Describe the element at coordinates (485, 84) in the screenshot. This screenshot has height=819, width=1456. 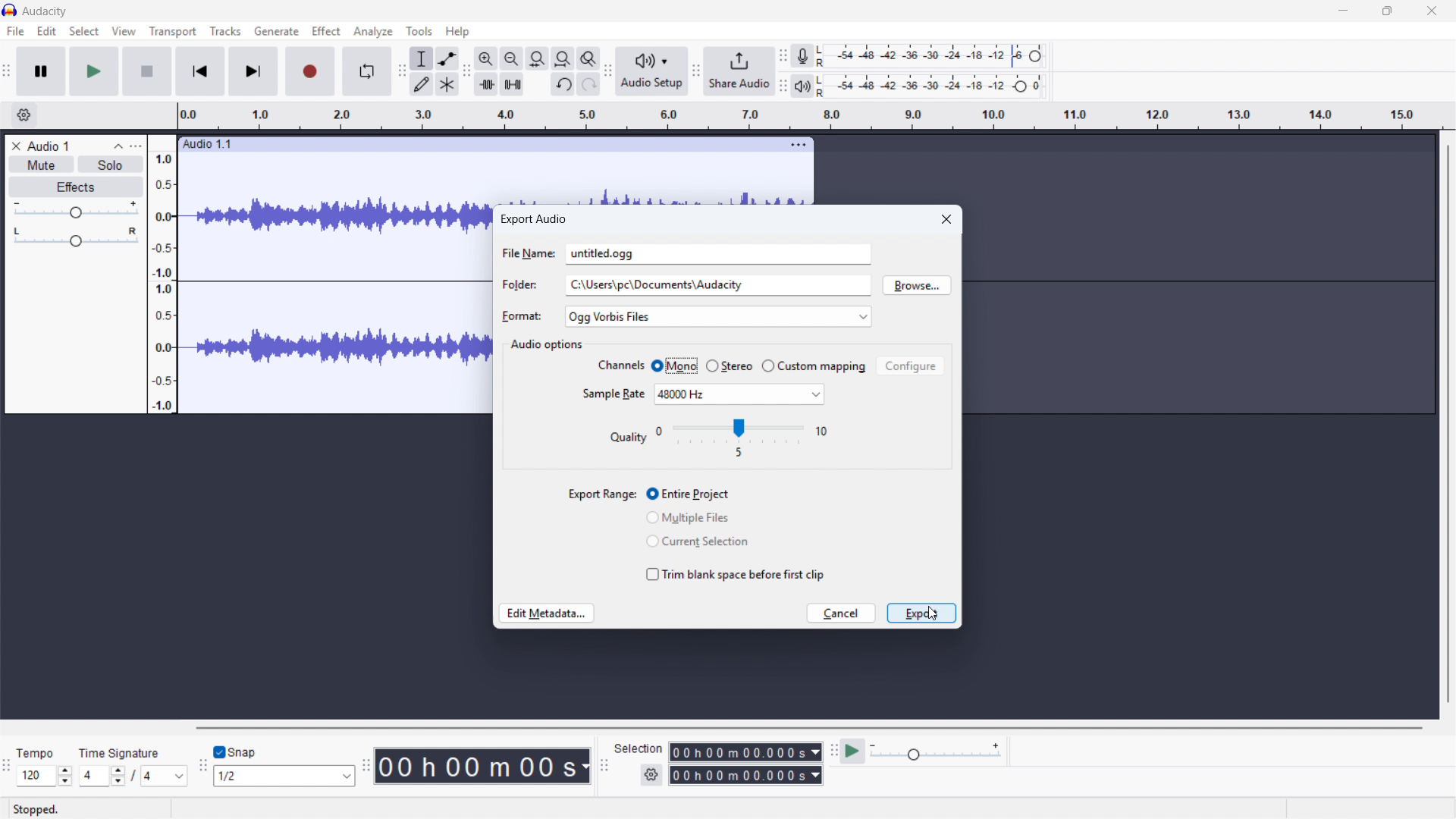
I see `Trim audio outside selection ` at that location.